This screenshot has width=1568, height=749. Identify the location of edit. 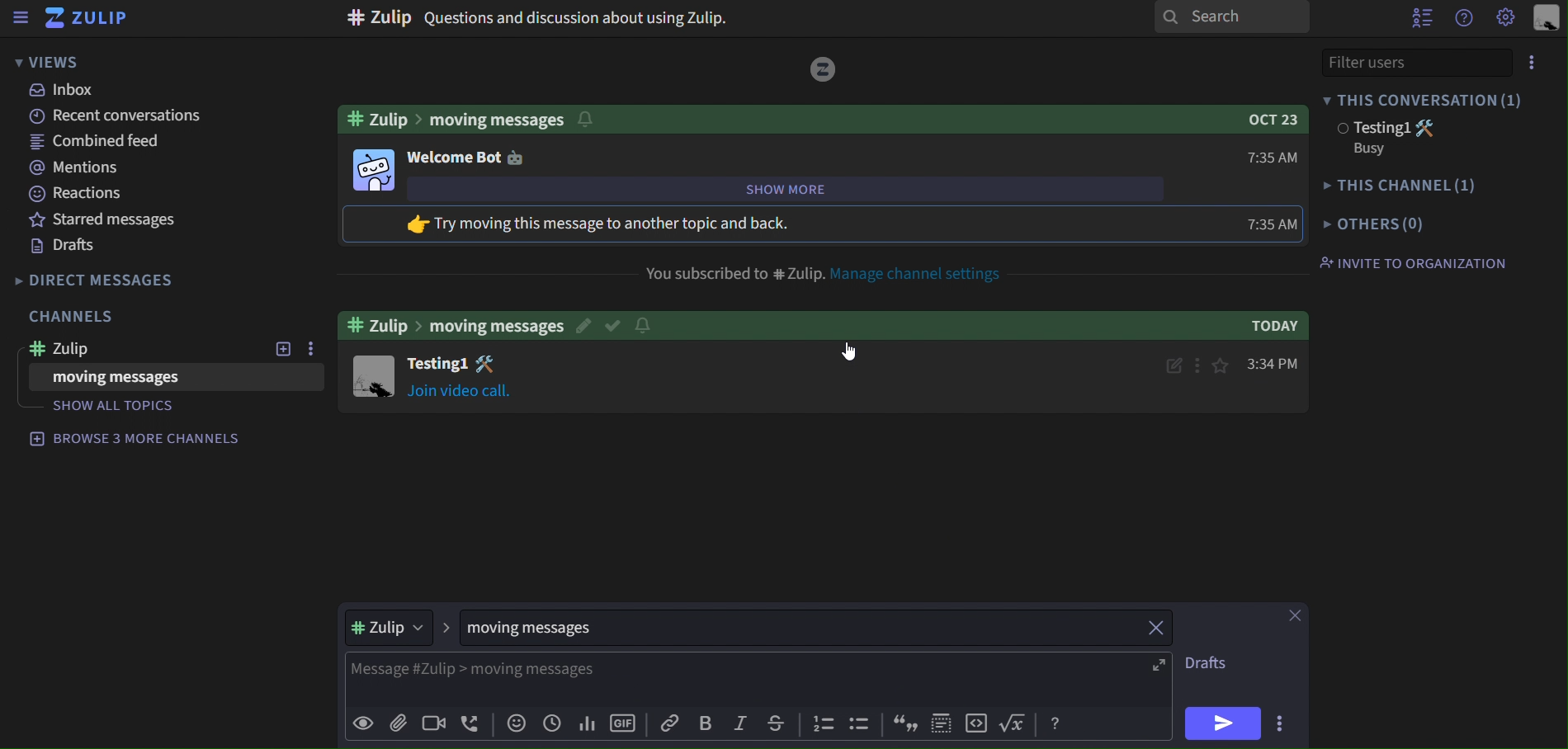
(1169, 363).